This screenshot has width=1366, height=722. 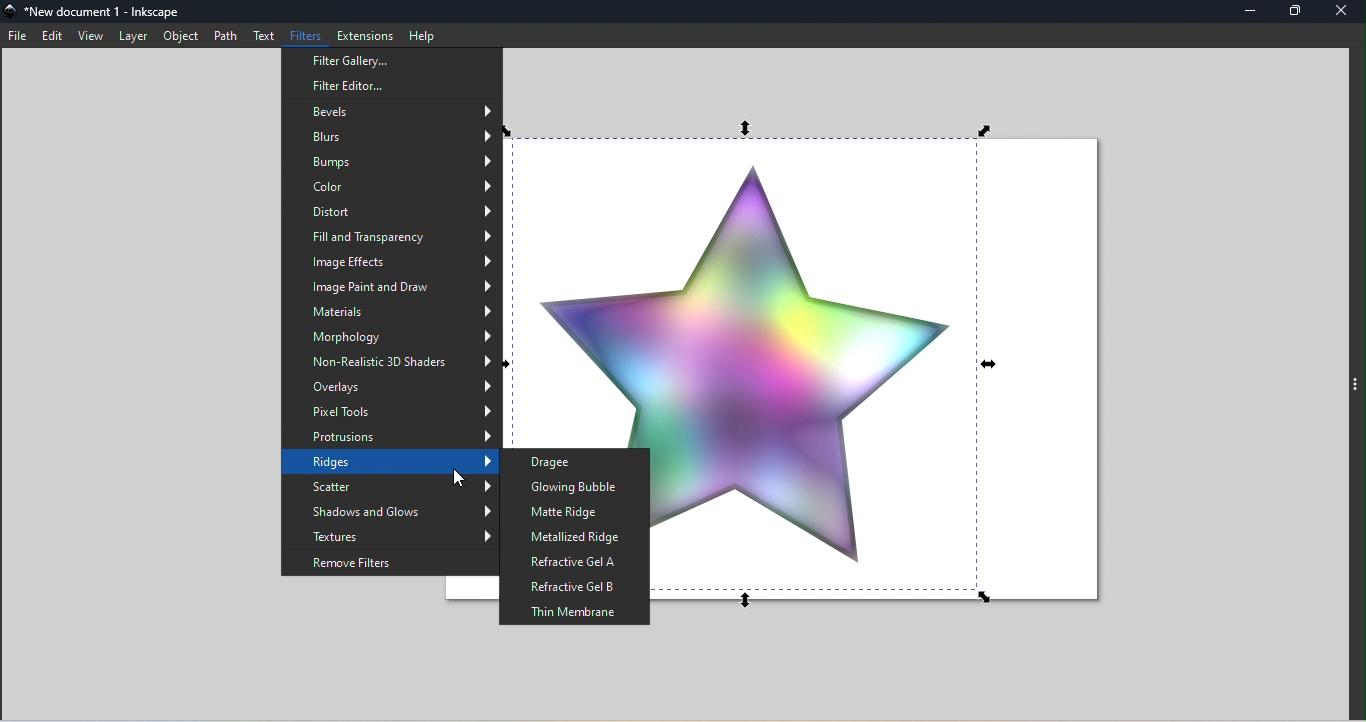 I want to click on Morphology, so click(x=392, y=338).